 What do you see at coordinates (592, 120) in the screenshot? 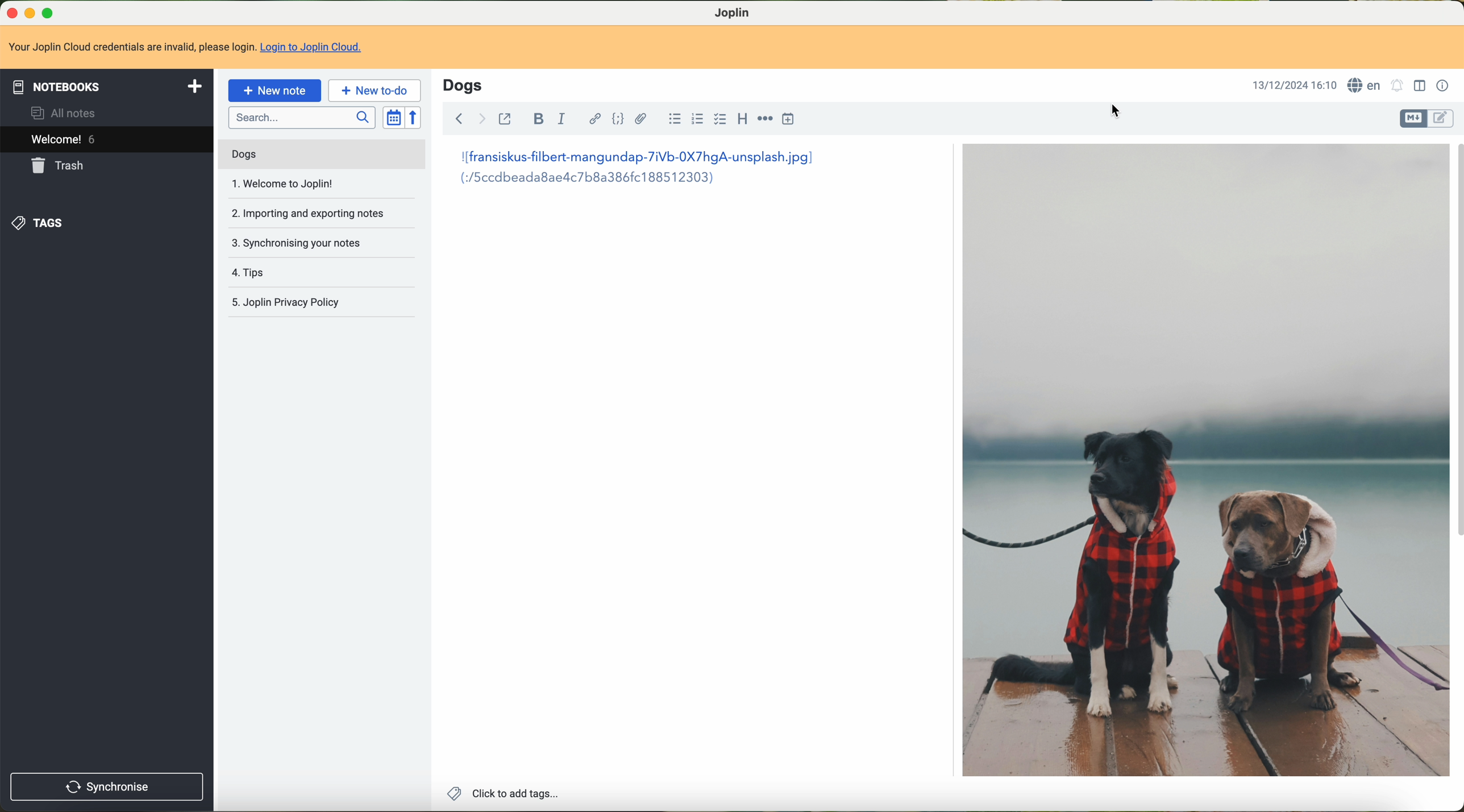
I see `hyperlink` at bounding box center [592, 120].